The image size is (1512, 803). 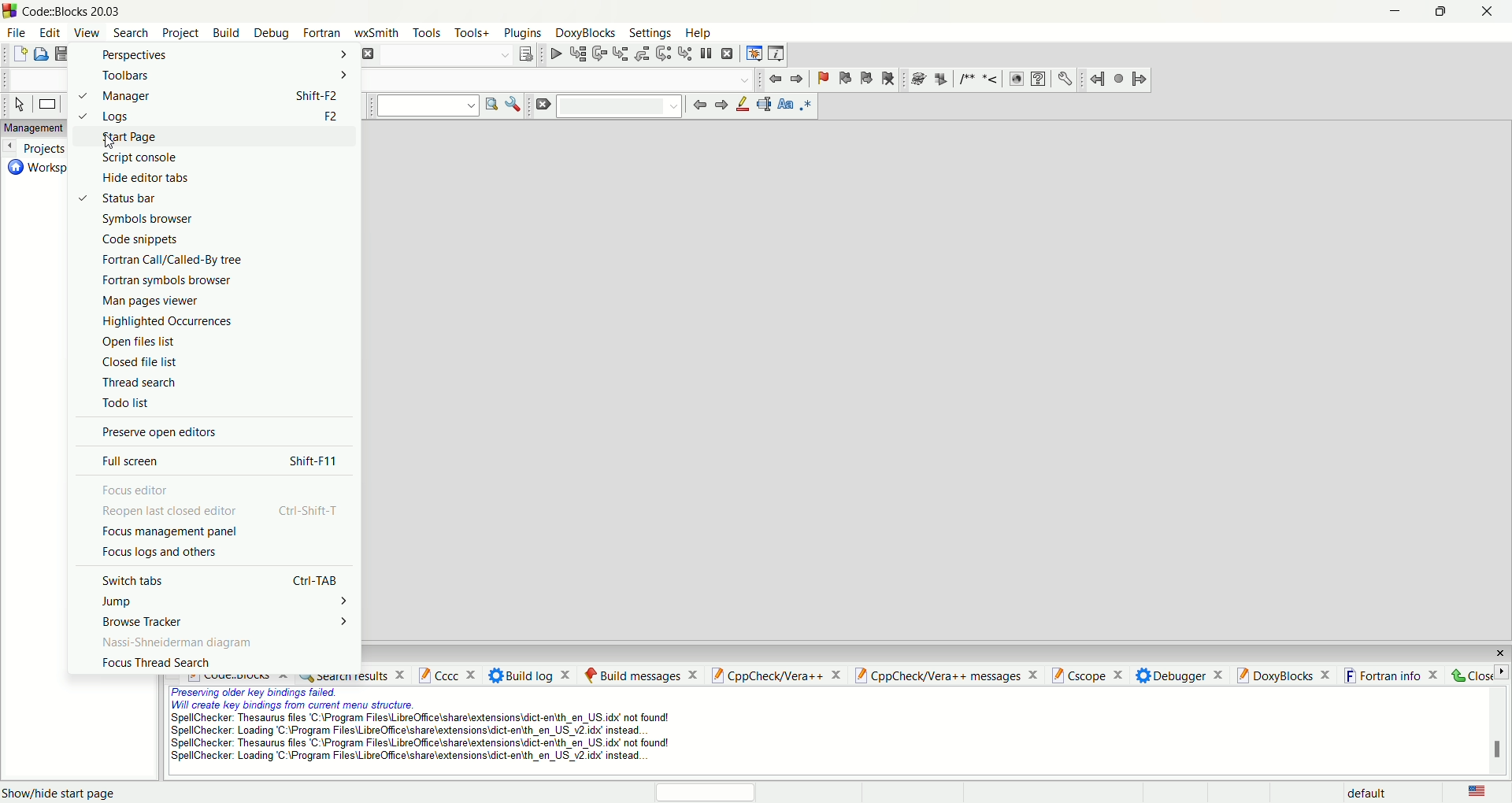 I want to click on open file list, so click(x=139, y=343).